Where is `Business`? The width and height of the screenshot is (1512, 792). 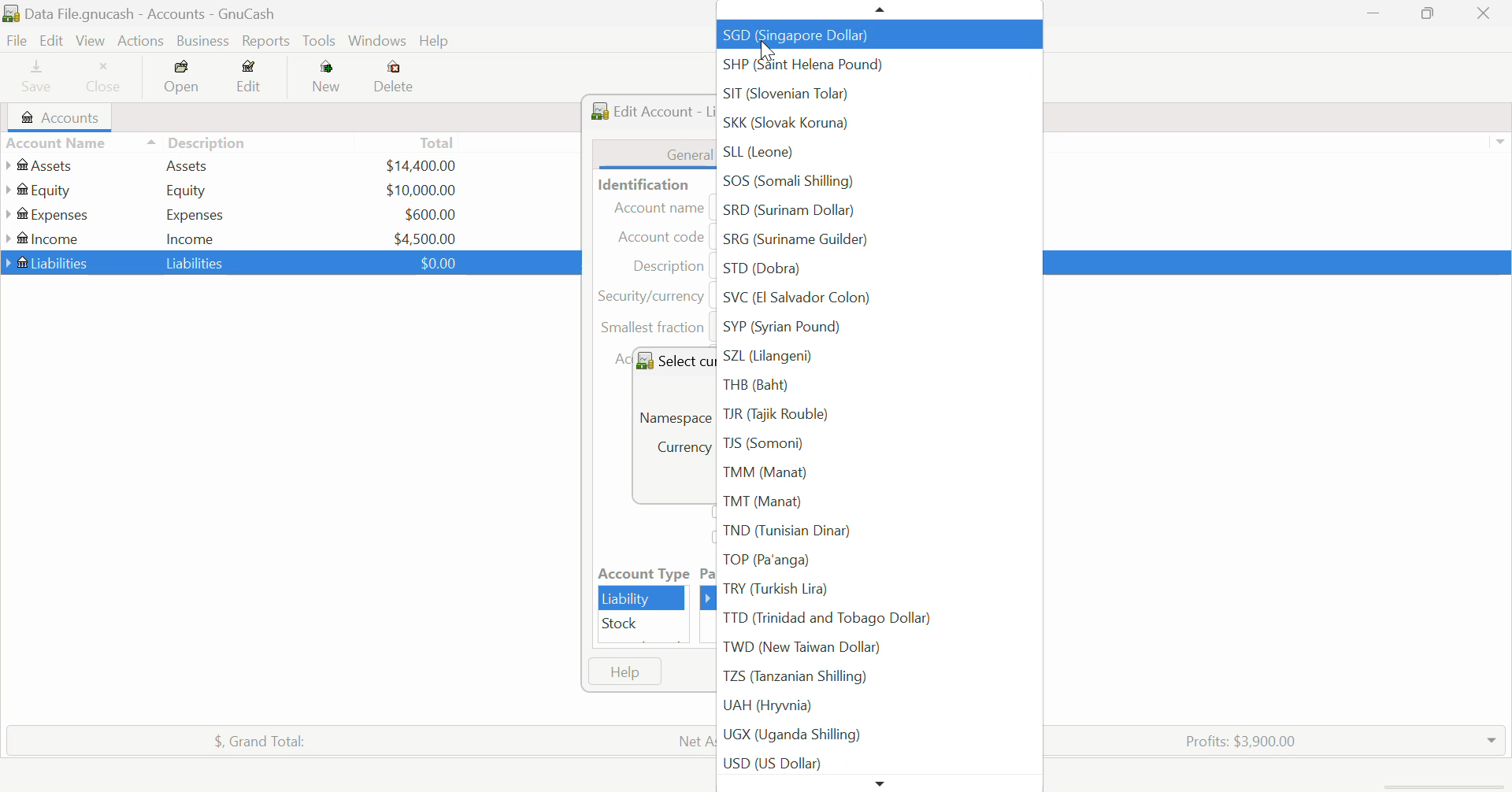 Business is located at coordinates (203, 41).